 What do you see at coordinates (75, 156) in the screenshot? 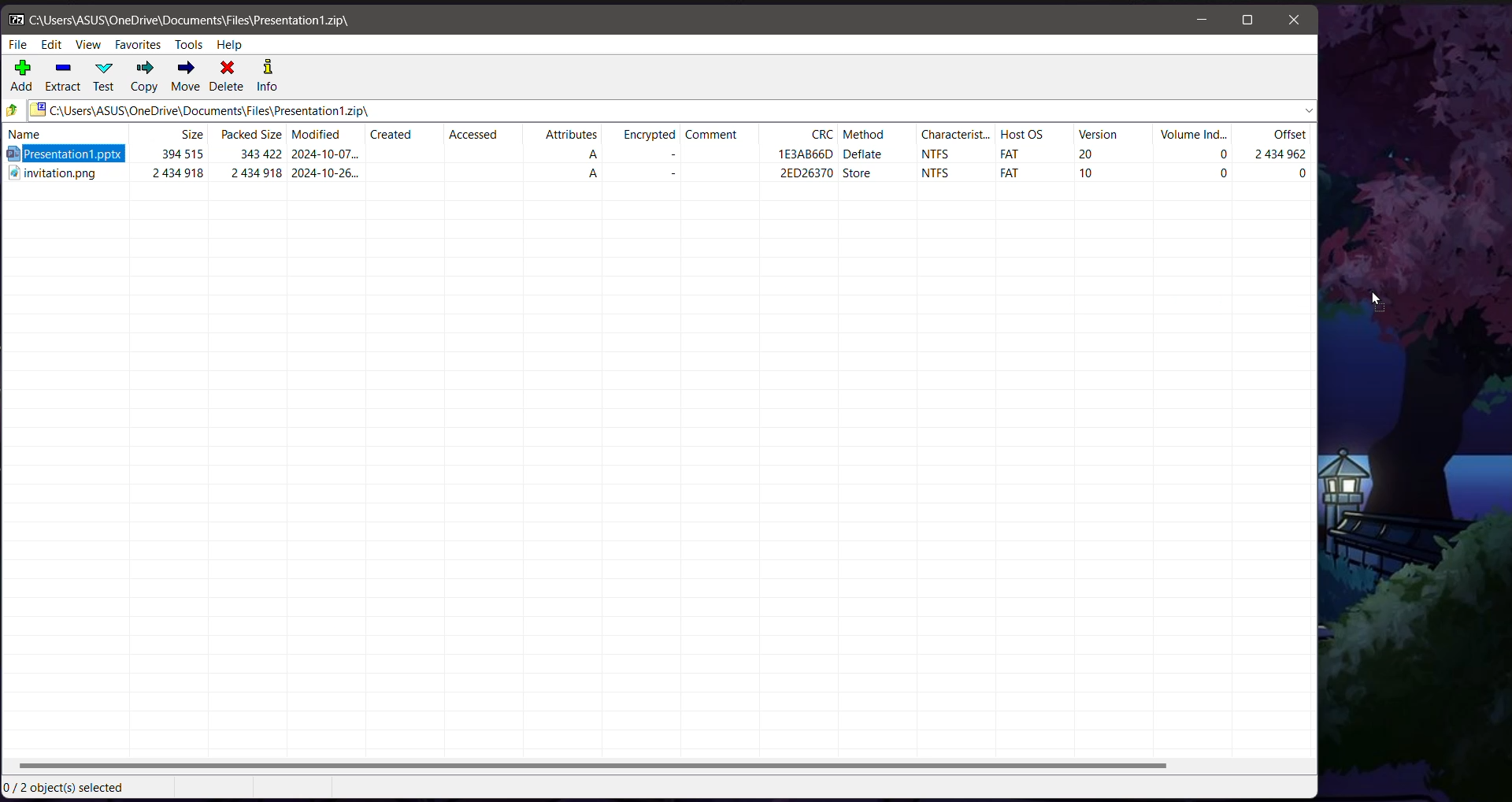
I see `Selected File to be dragged out of the archive` at bounding box center [75, 156].